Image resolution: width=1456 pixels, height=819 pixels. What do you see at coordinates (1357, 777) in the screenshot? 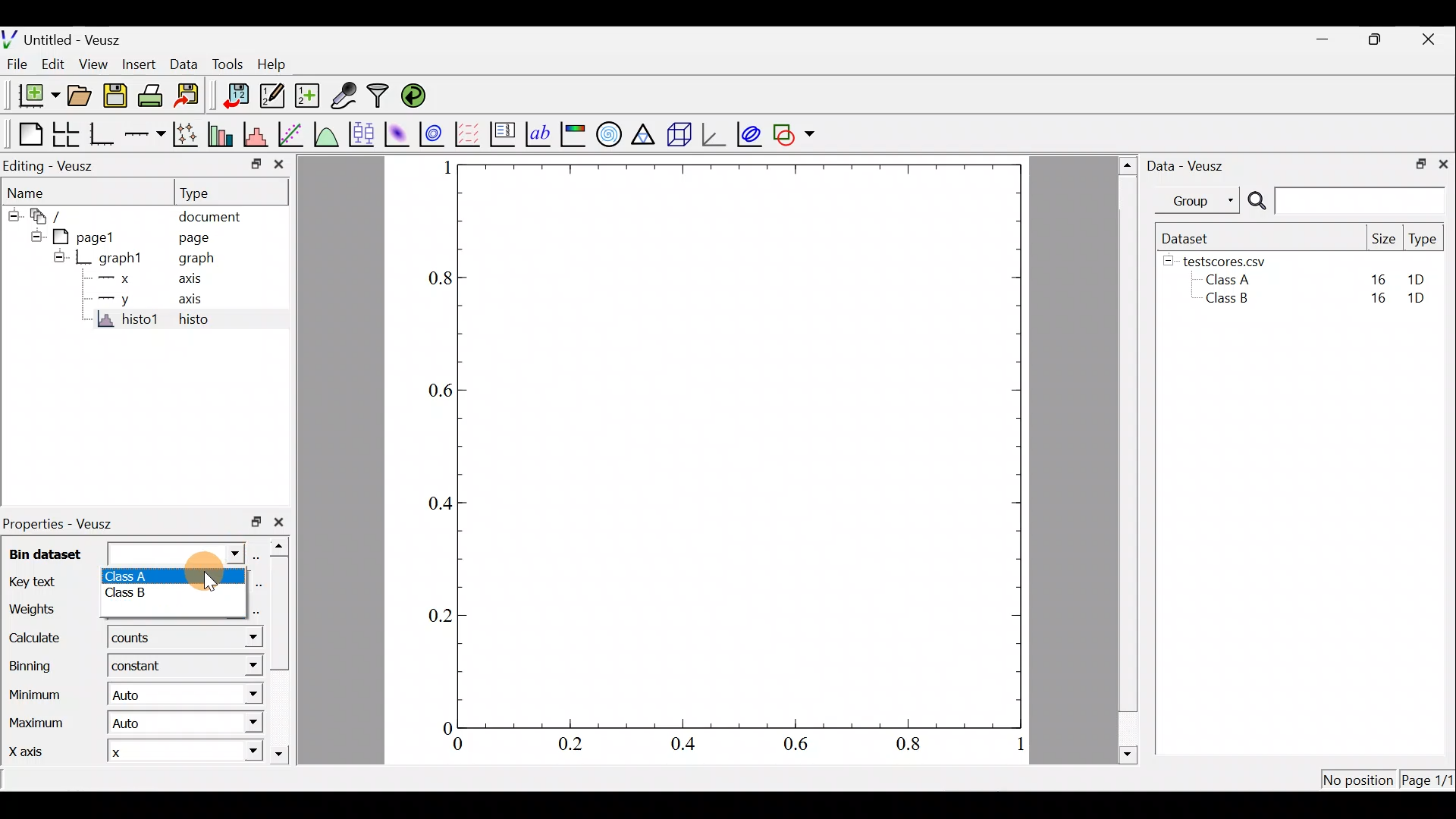
I see `No position` at bounding box center [1357, 777].